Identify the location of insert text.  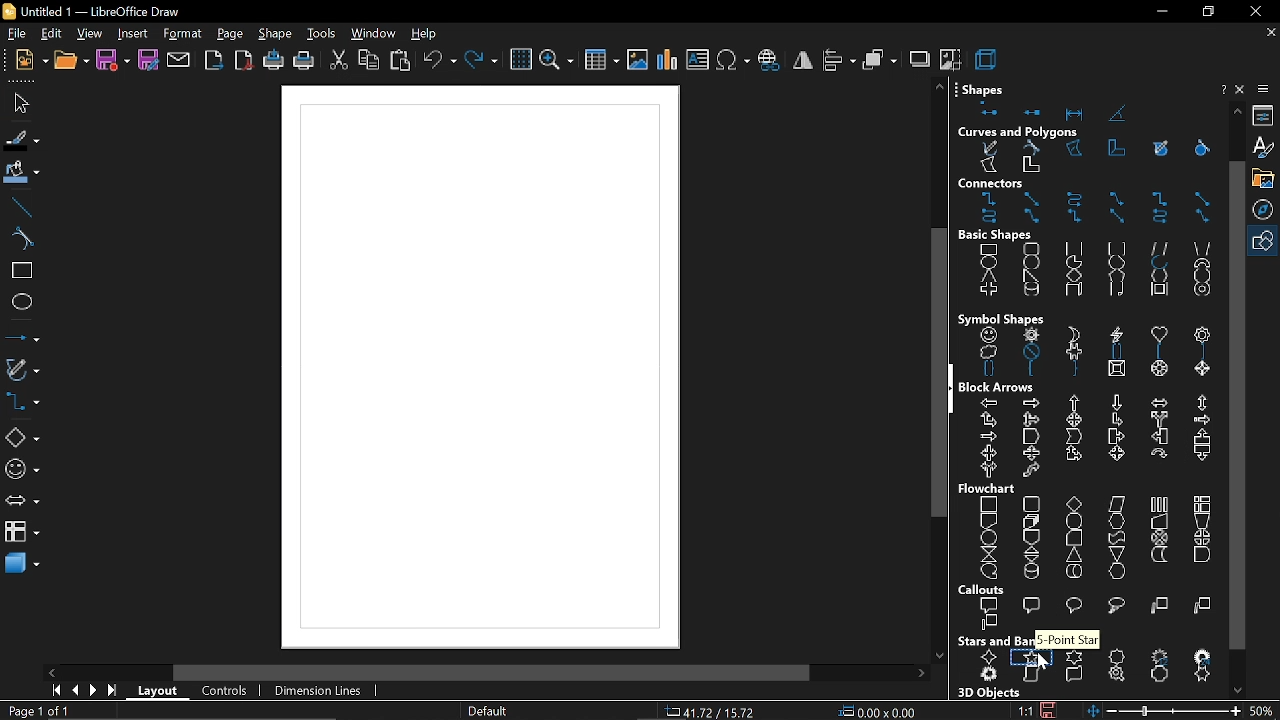
(699, 60).